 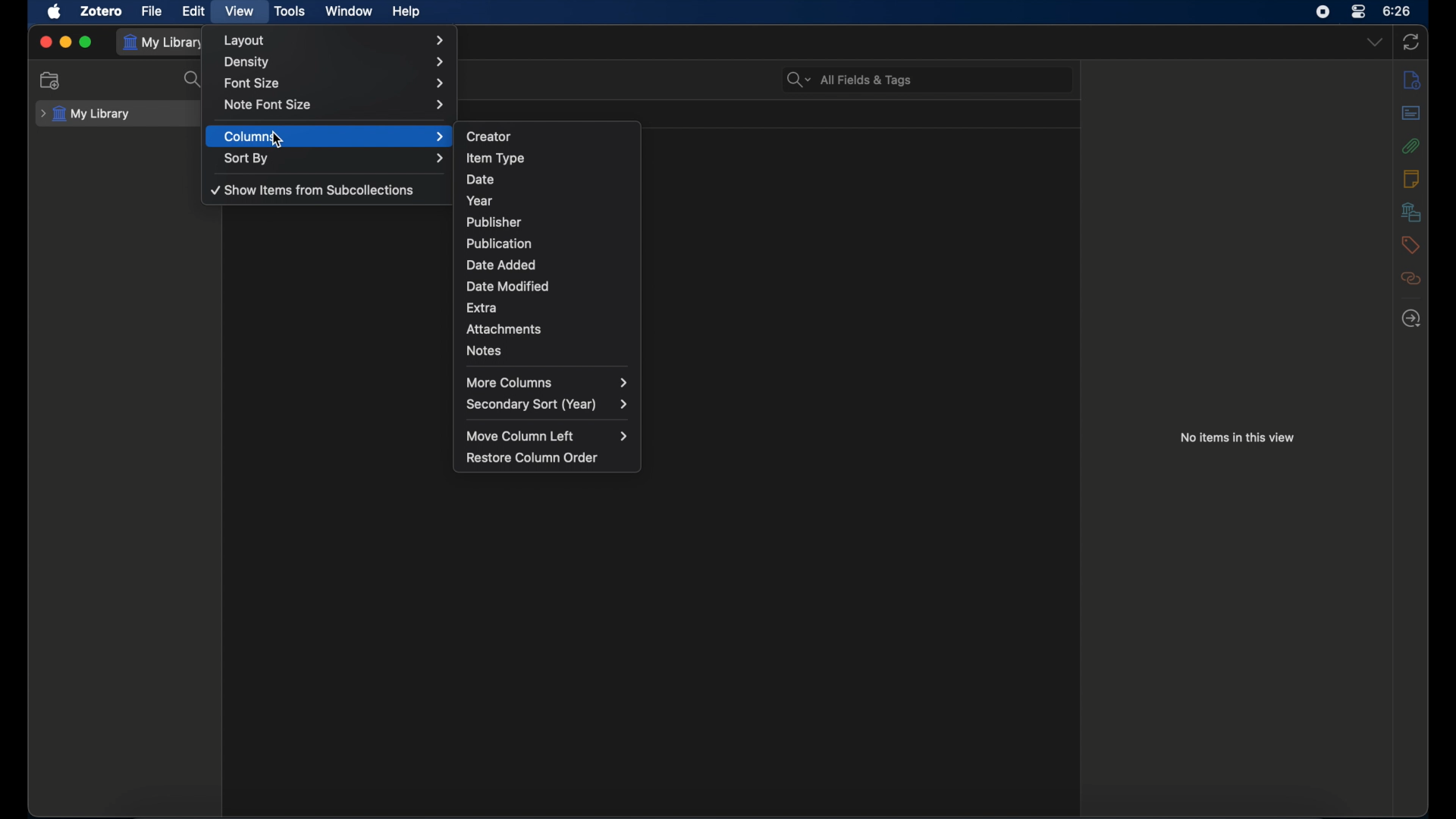 What do you see at coordinates (290, 11) in the screenshot?
I see `tools` at bounding box center [290, 11].